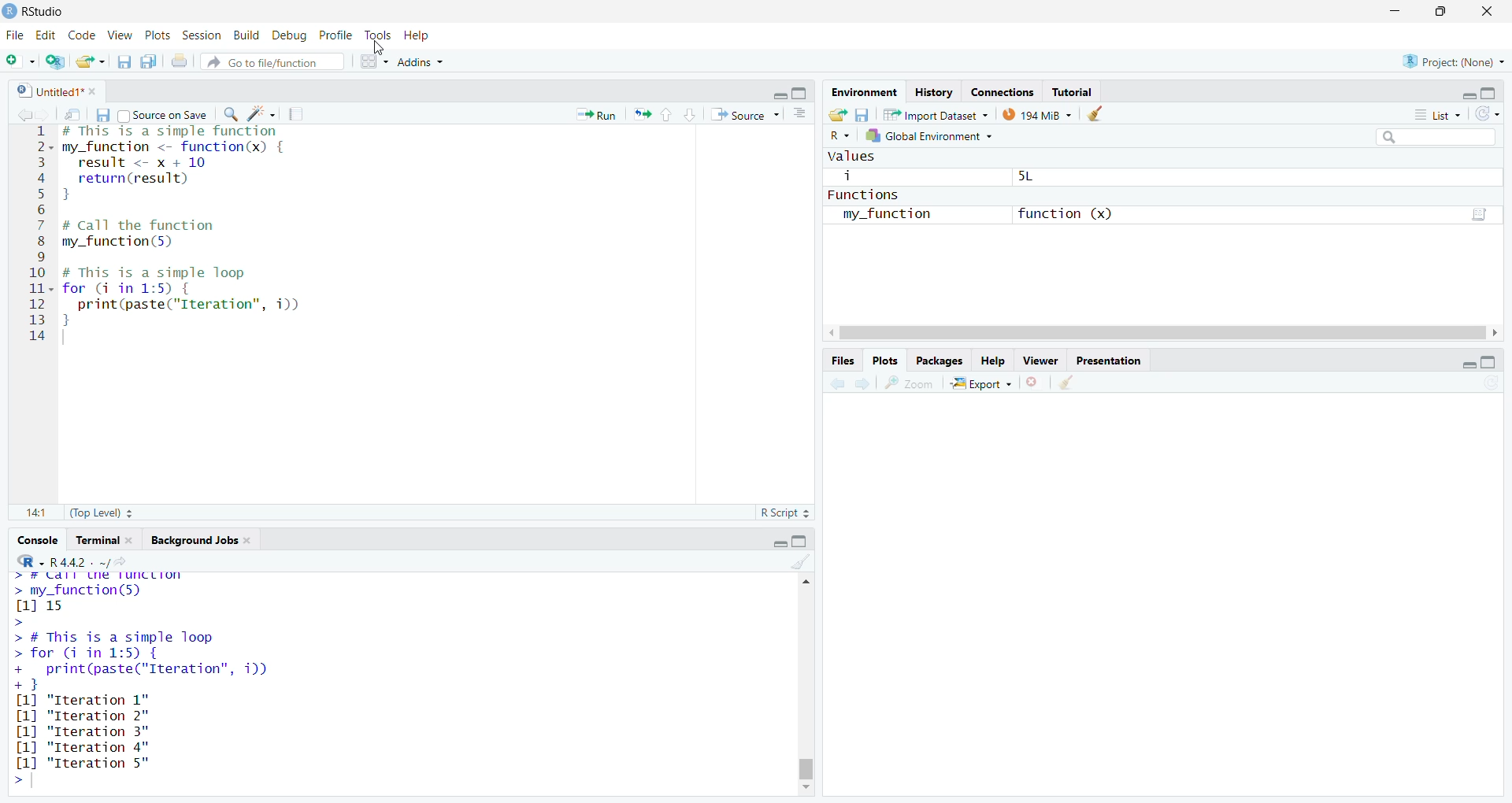  Describe the element at coordinates (992, 360) in the screenshot. I see `help` at that location.